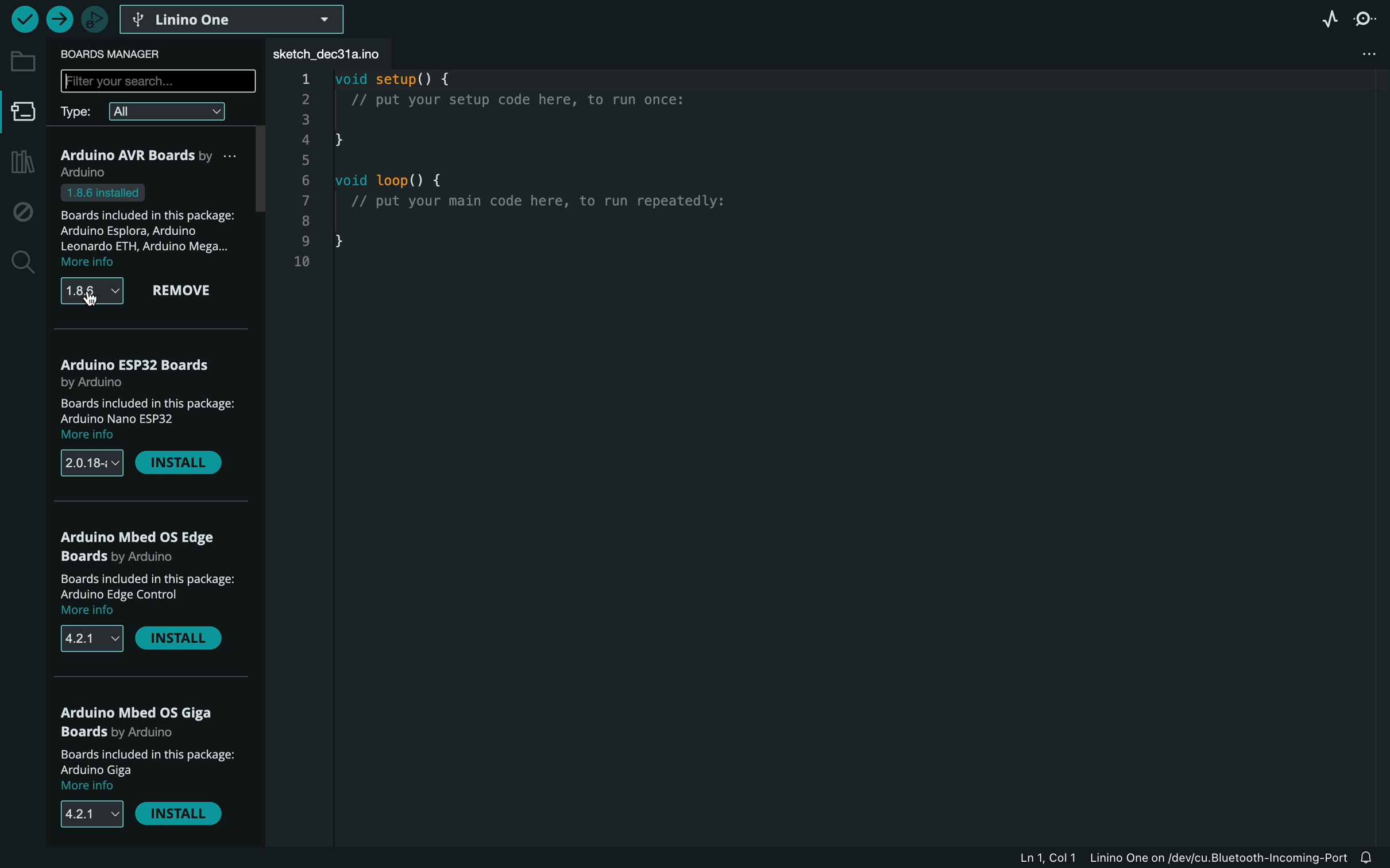  Describe the element at coordinates (300, 262) in the screenshot. I see `10` at that location.